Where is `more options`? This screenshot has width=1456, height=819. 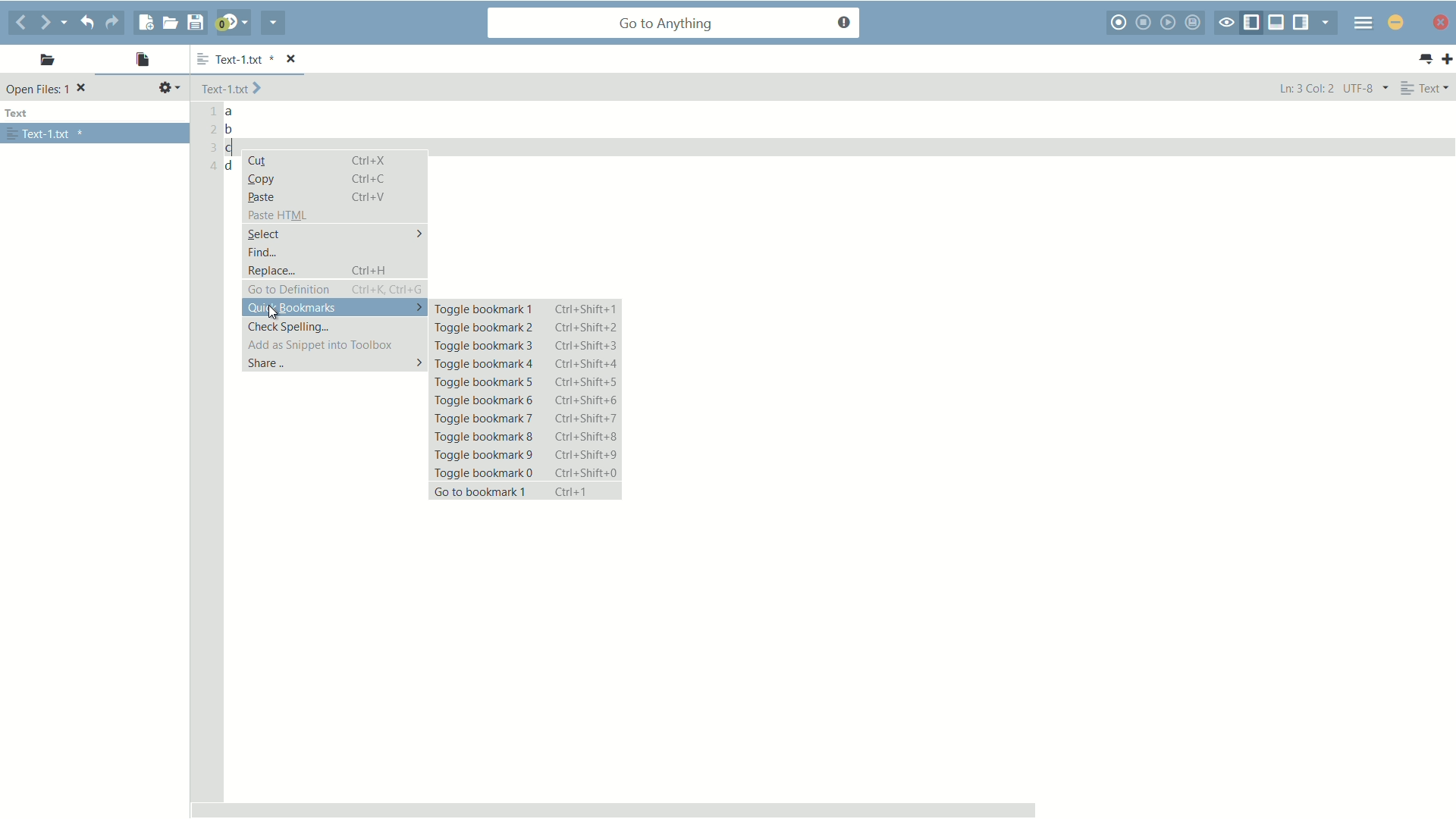 more options is located at coordinates (199, 60).